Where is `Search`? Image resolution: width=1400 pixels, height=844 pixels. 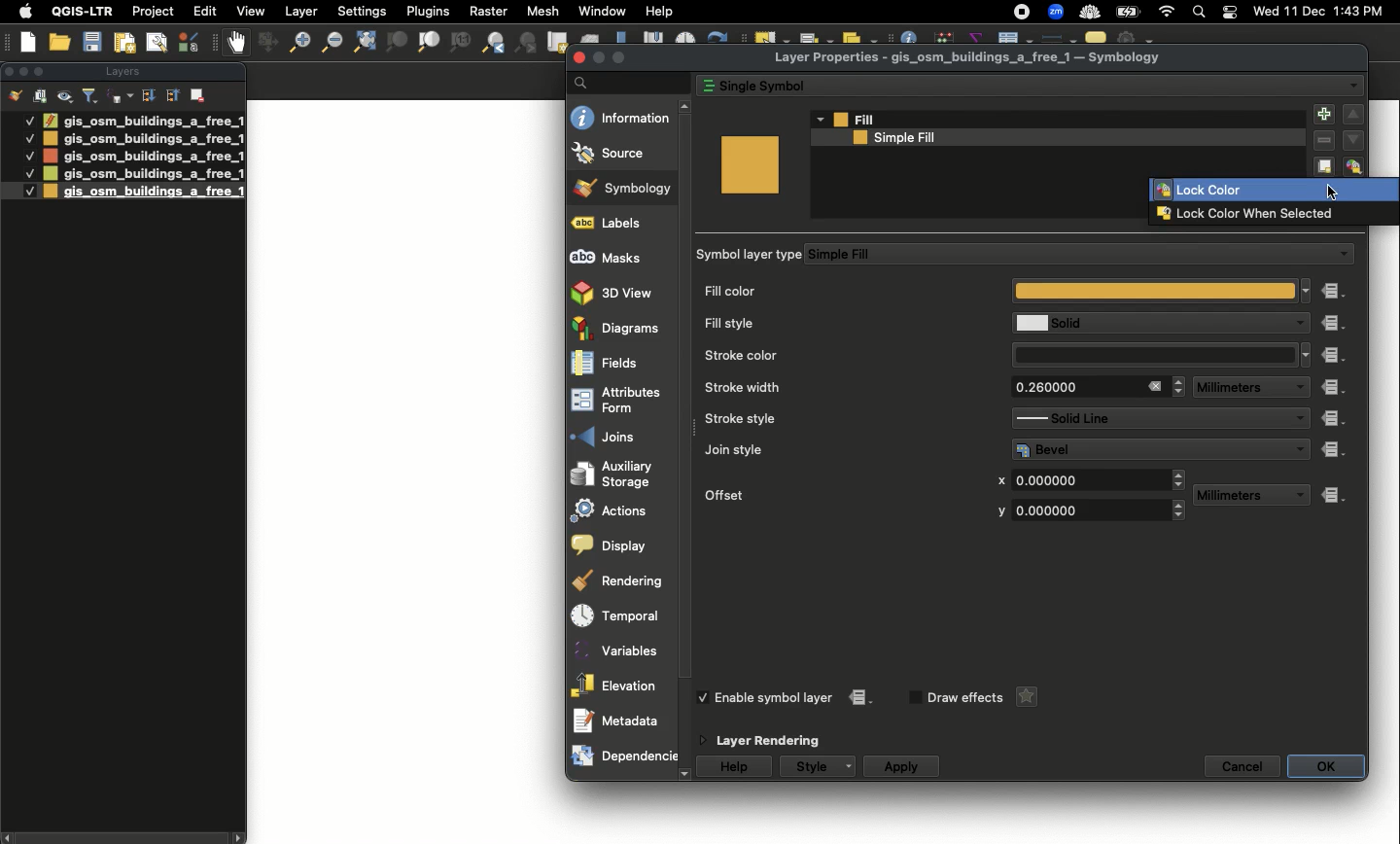
Search is located at coordinates (627, 82).